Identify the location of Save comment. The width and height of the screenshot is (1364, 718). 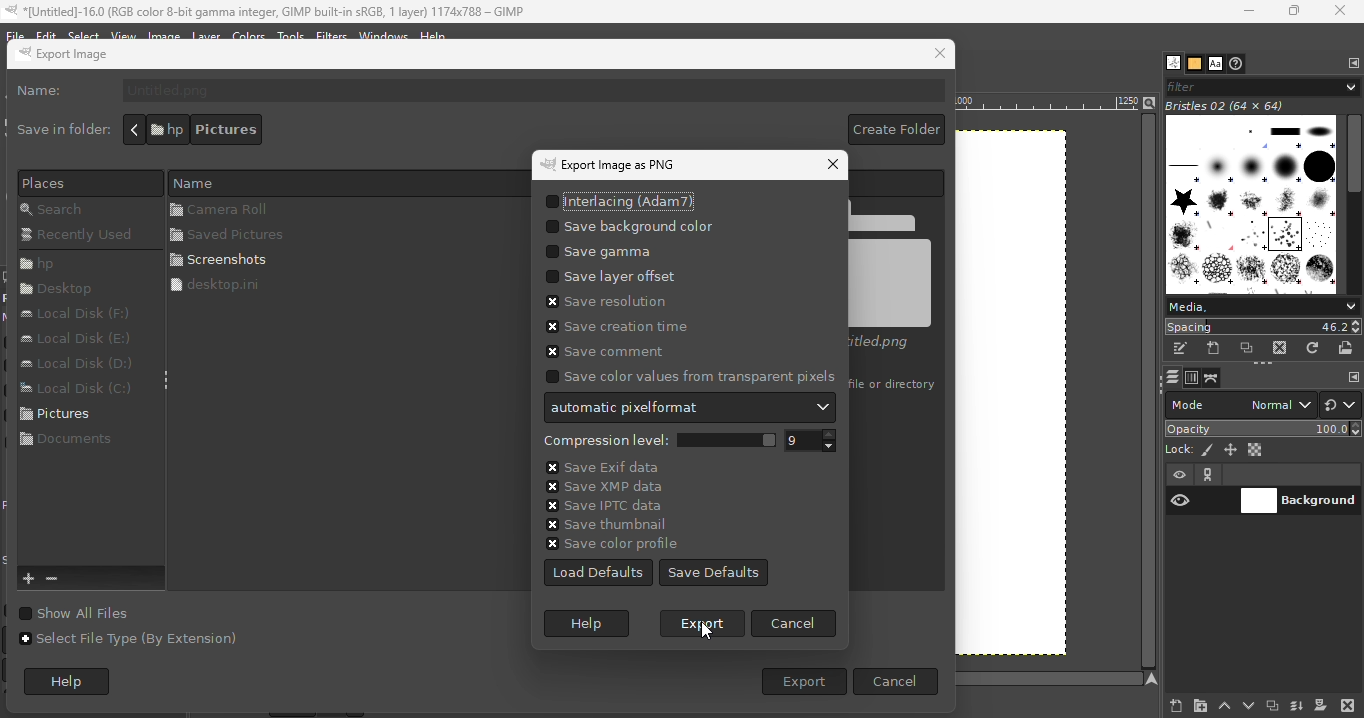
(597, 352).